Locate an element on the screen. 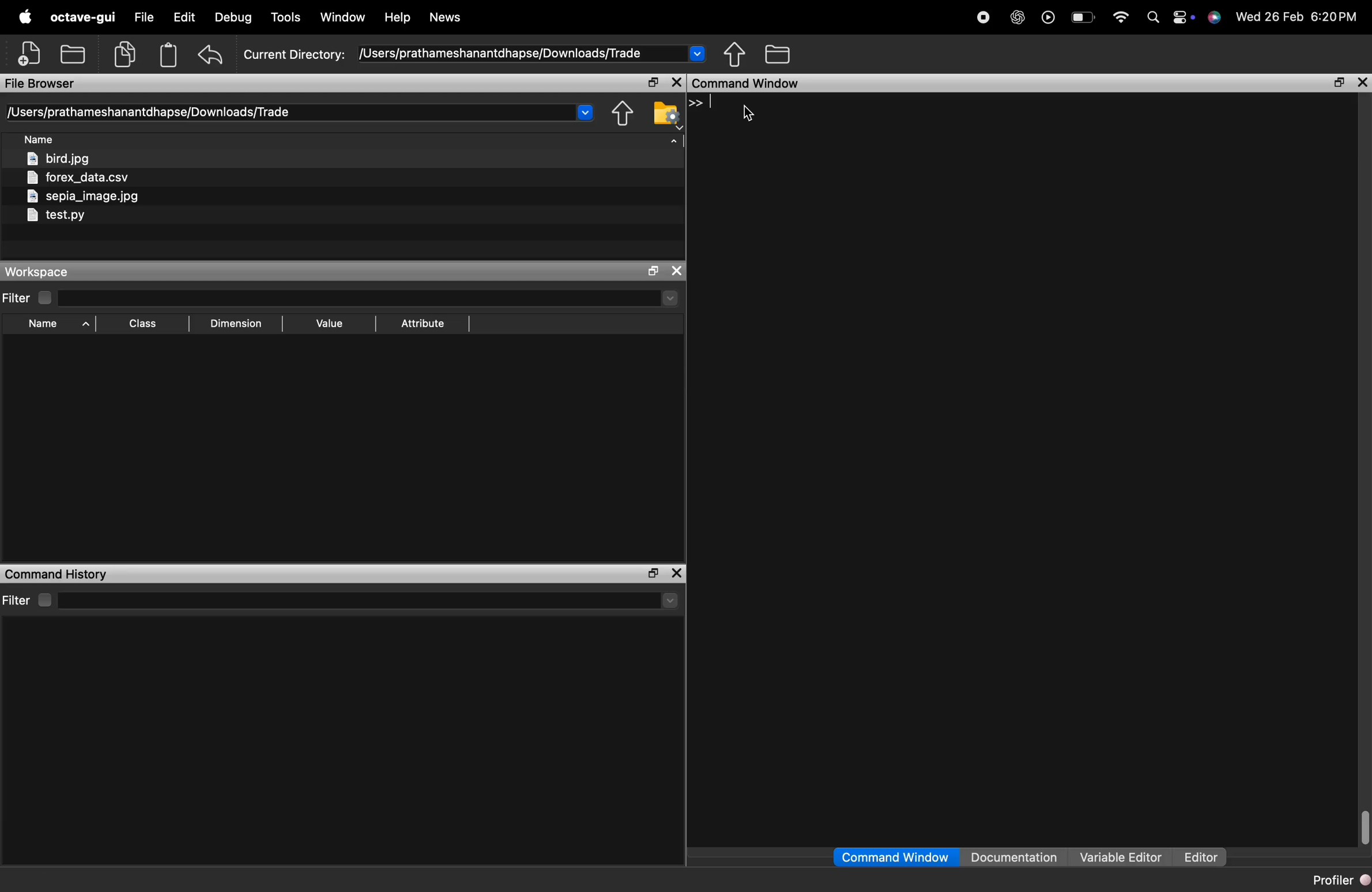  logo is located at coordinates (1215, 17).